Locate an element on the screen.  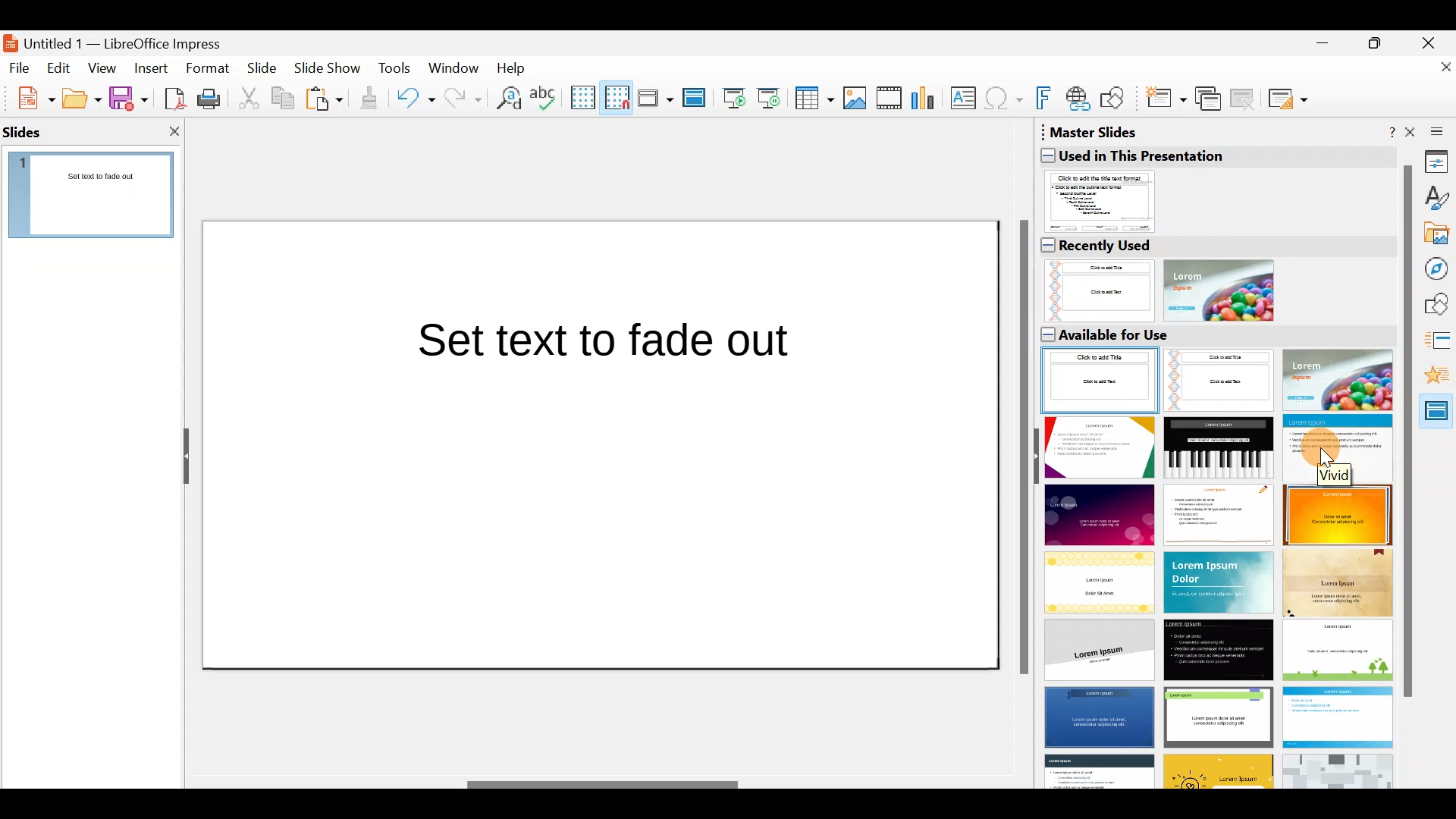
Insert image is located at coordinates (858, 99).